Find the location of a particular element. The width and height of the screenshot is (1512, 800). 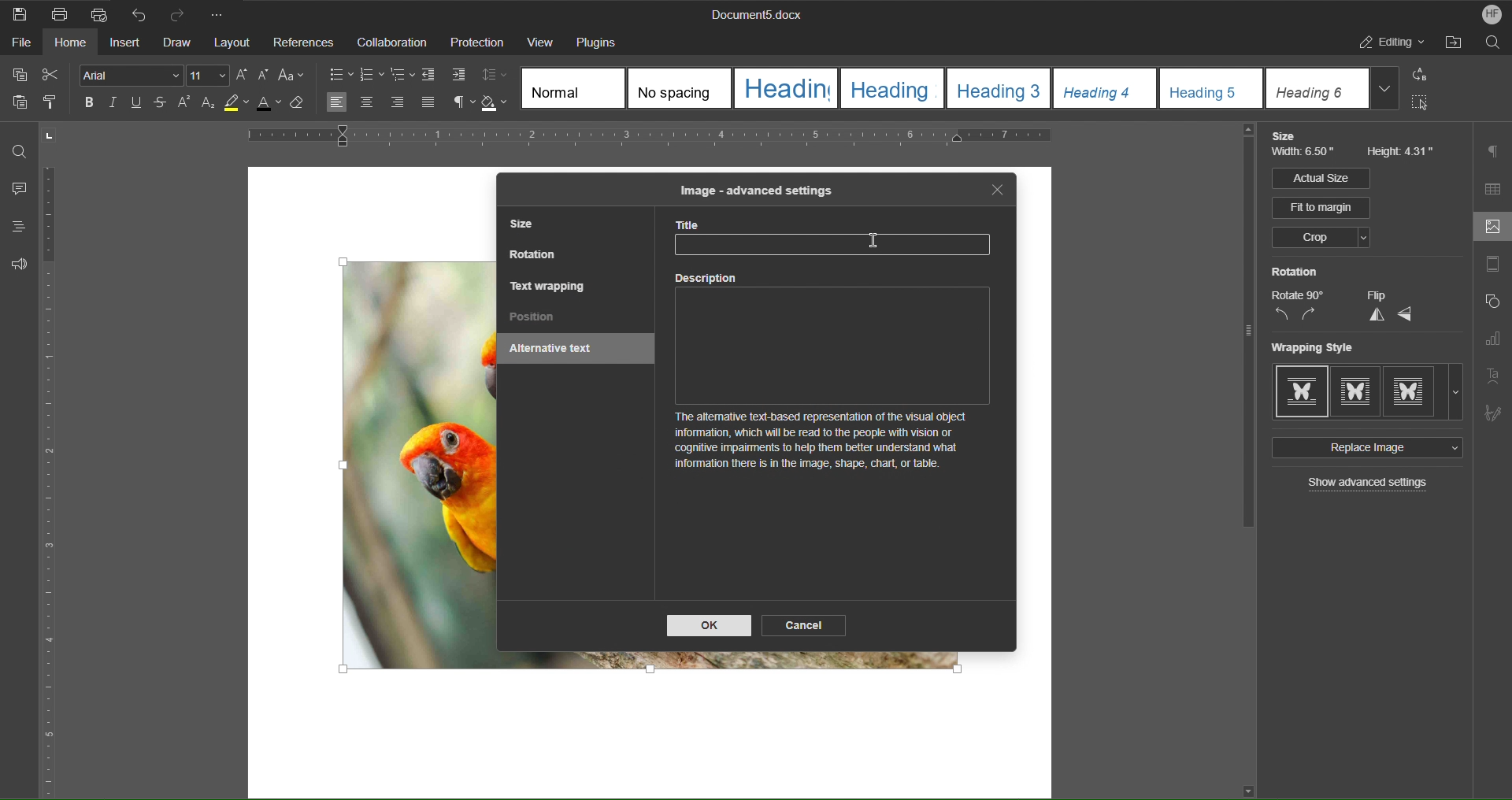

Rotation is located at coordinates (535, 257).